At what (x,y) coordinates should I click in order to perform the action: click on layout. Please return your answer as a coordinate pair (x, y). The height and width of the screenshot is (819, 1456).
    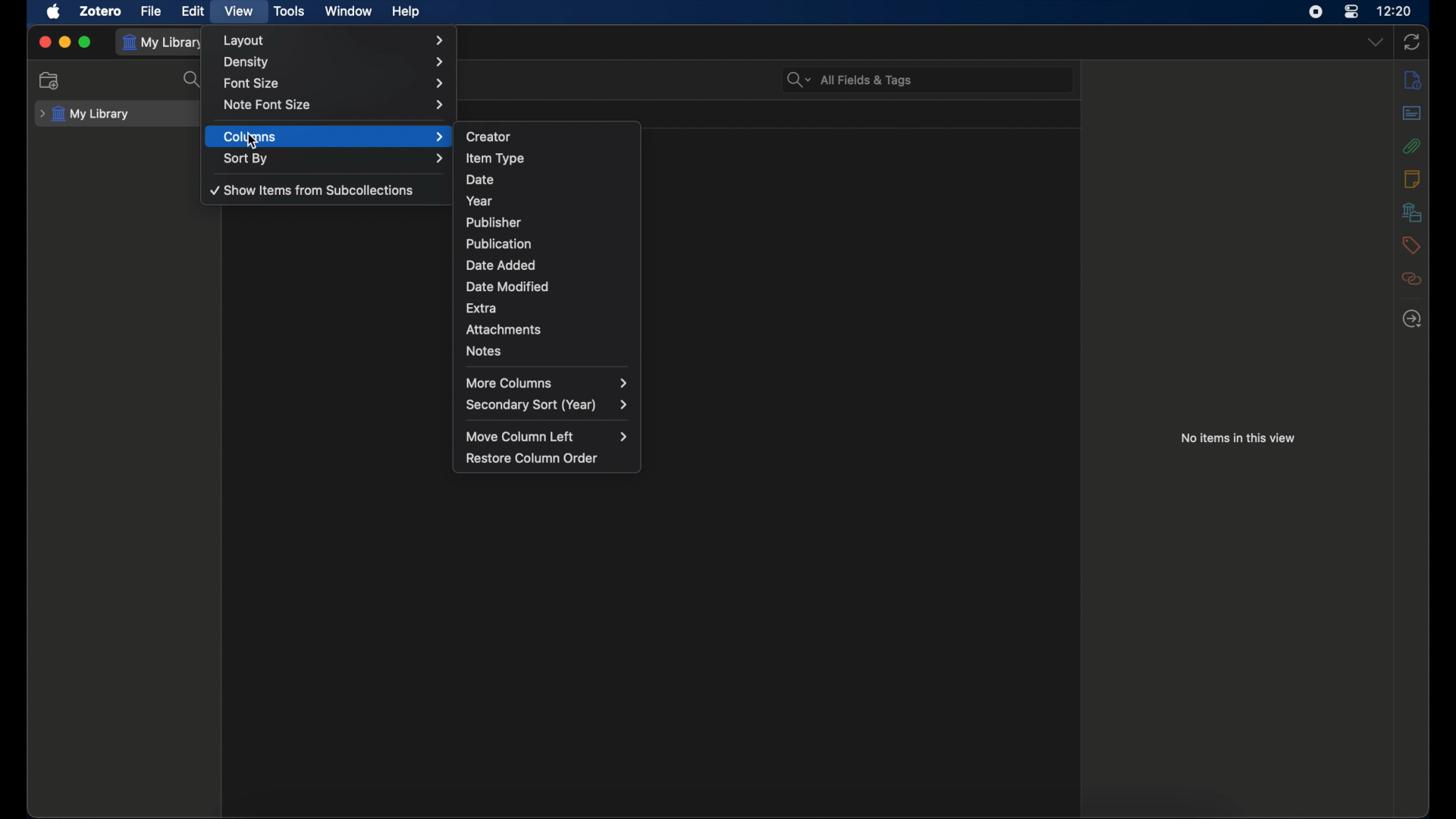
    Looking at the image, I should click on (334, 40).